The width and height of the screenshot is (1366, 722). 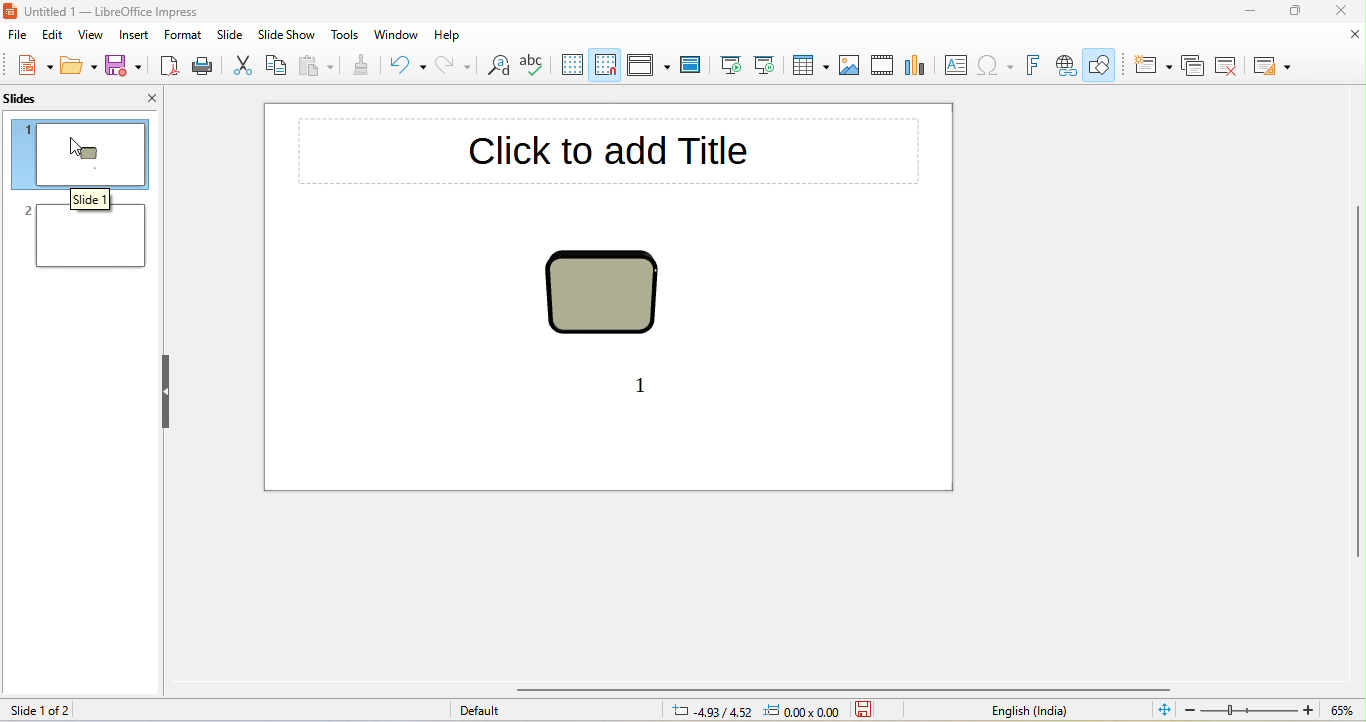 What do you see at coordinates (645, 384) in the screenshot?
I see `1` at bounding box center [645, 384].